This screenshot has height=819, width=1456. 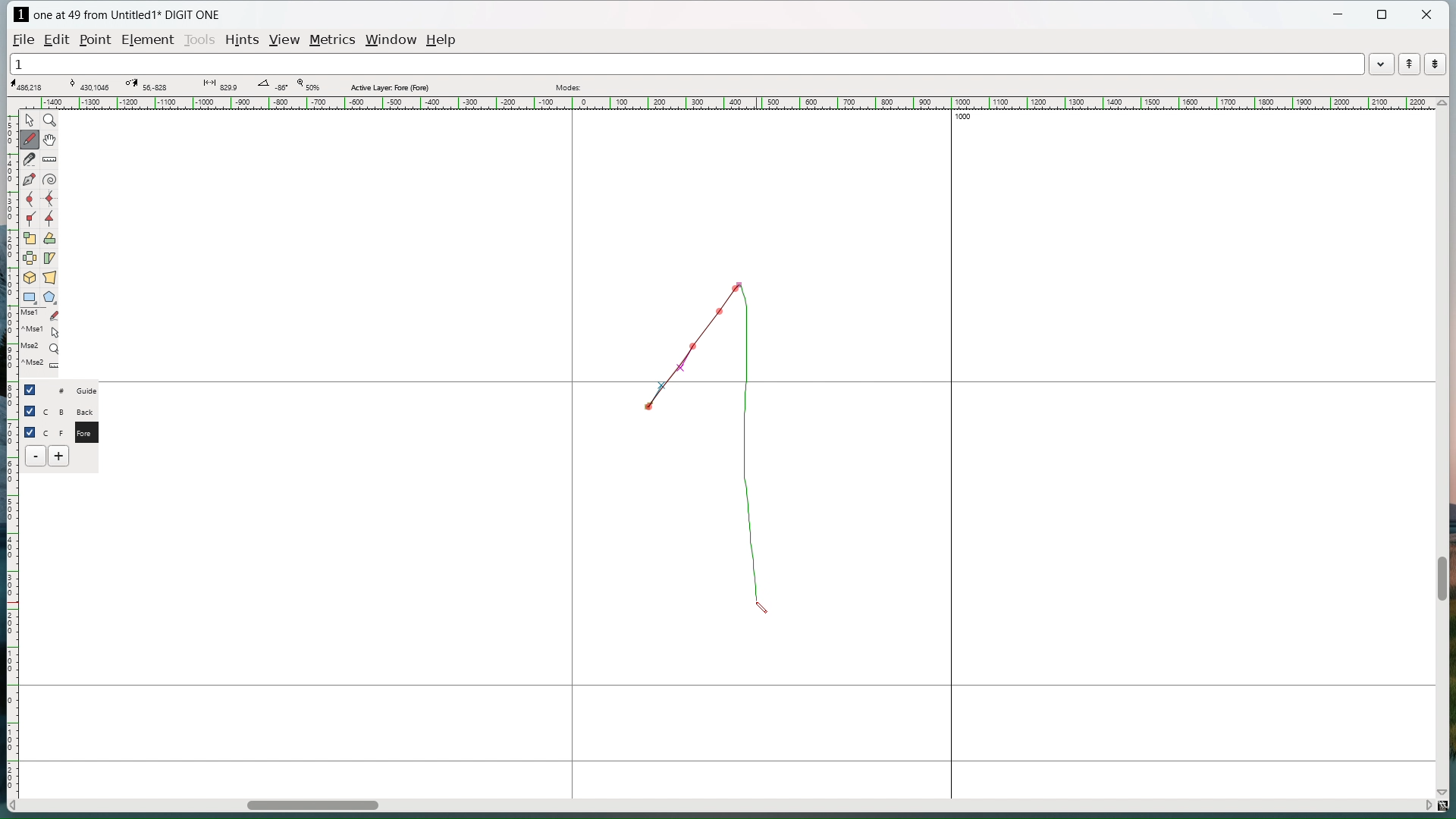 What do you see at coordinates (30, 277) in the screenshot?
I see `rotate selection in 3d and project back to the place` at bounding box center [30, 277].